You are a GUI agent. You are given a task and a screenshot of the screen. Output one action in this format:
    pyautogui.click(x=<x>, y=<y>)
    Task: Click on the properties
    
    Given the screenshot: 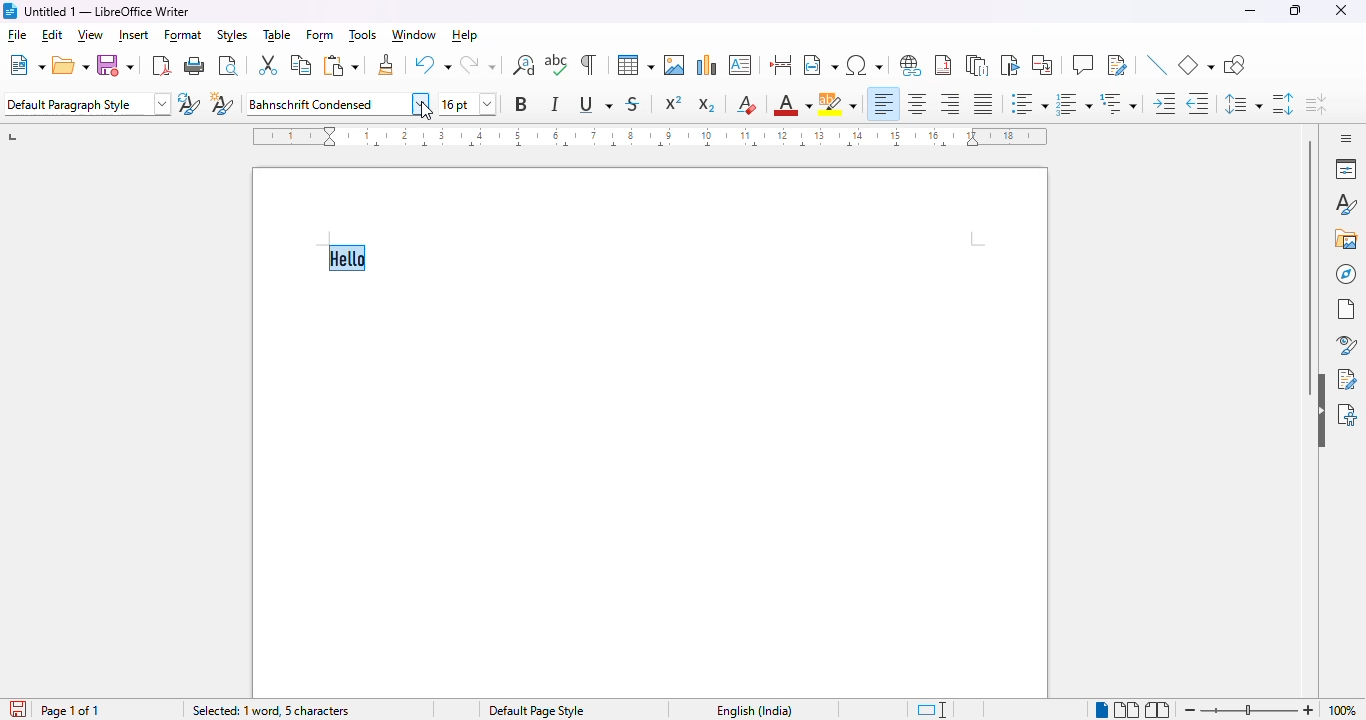 What is the action you would take?
    pyautogui.click(x=1346, y=168)
    